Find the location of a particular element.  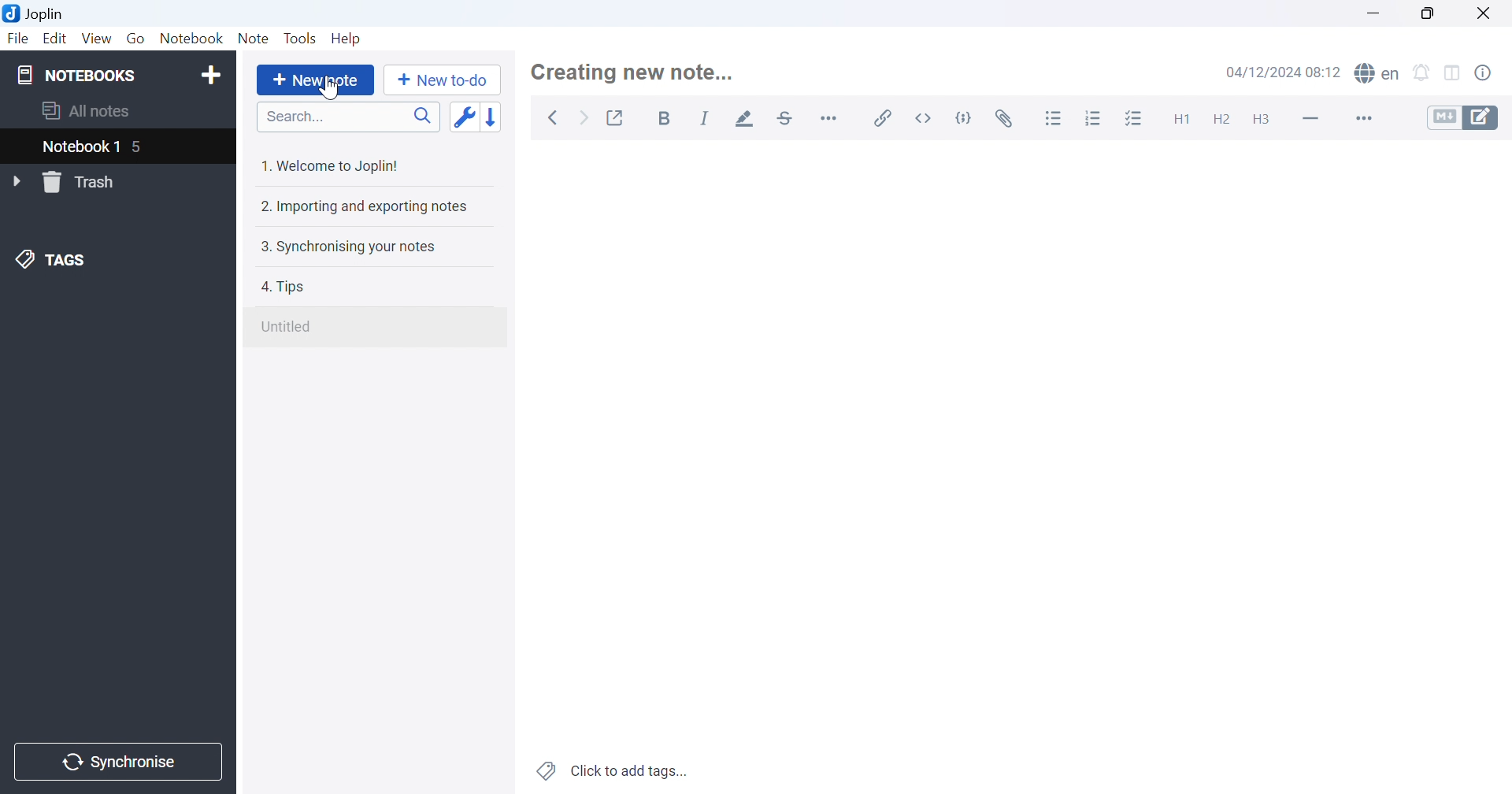

Checkbox list is located at coordinates (1136, 119).